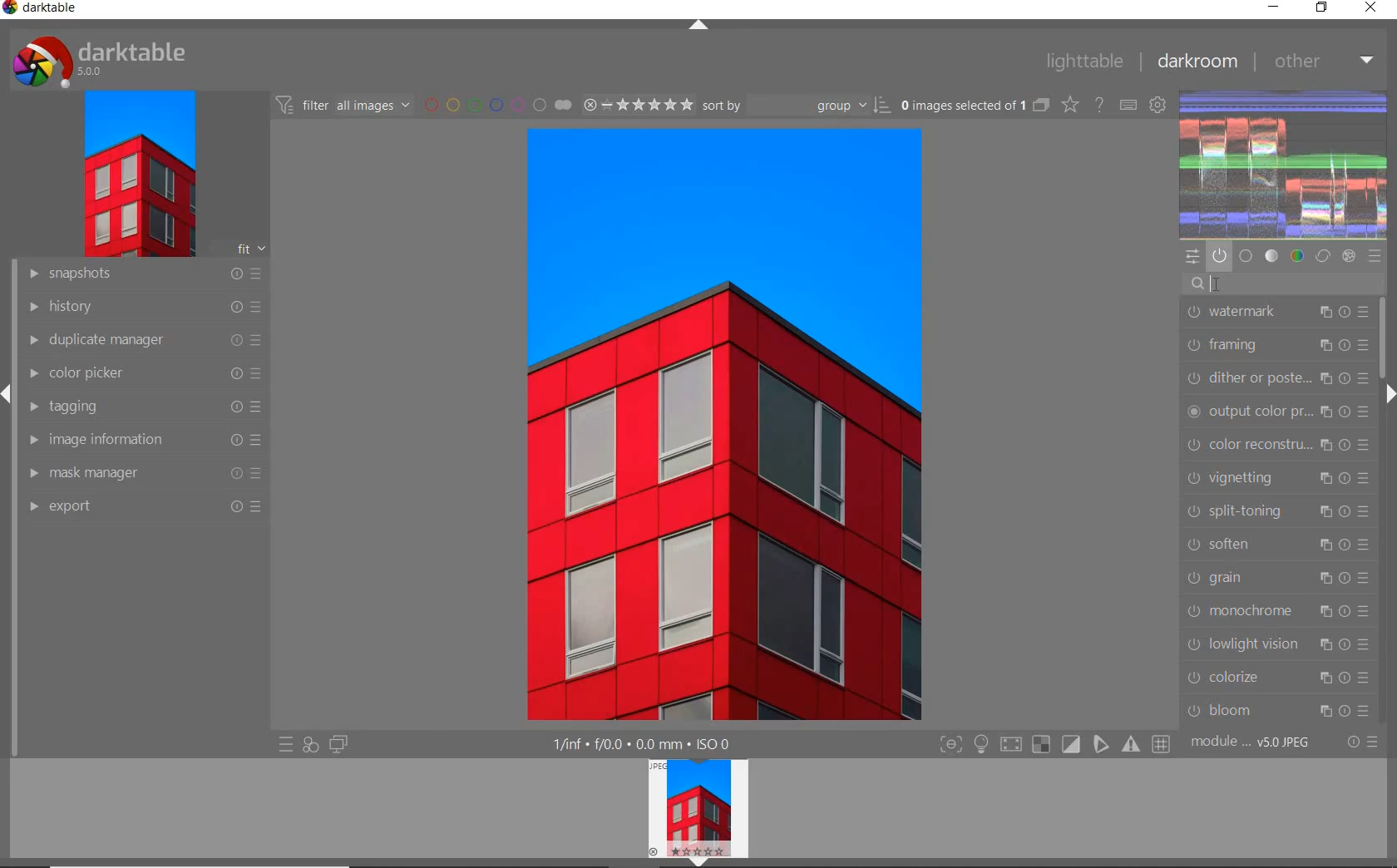  What do you see at coordinates (141, 308) in the screenshot?
I see `history` at bounding box center [141, 308].